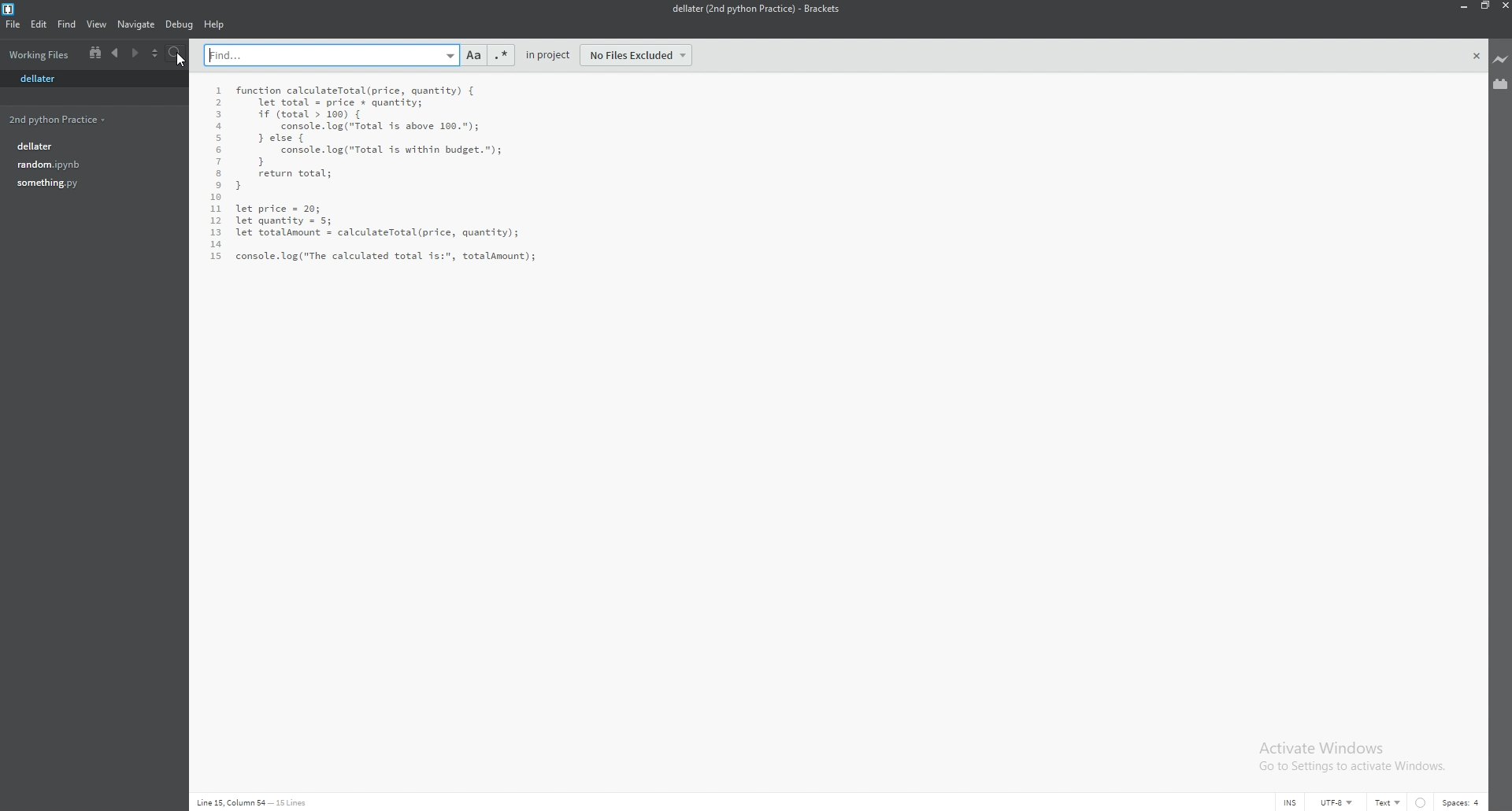 This screenshot has height=811, width=1512. What do you see at coordinates (45, 80) in the screenshot?
I see `dellater` at bounding box center [45, 80].